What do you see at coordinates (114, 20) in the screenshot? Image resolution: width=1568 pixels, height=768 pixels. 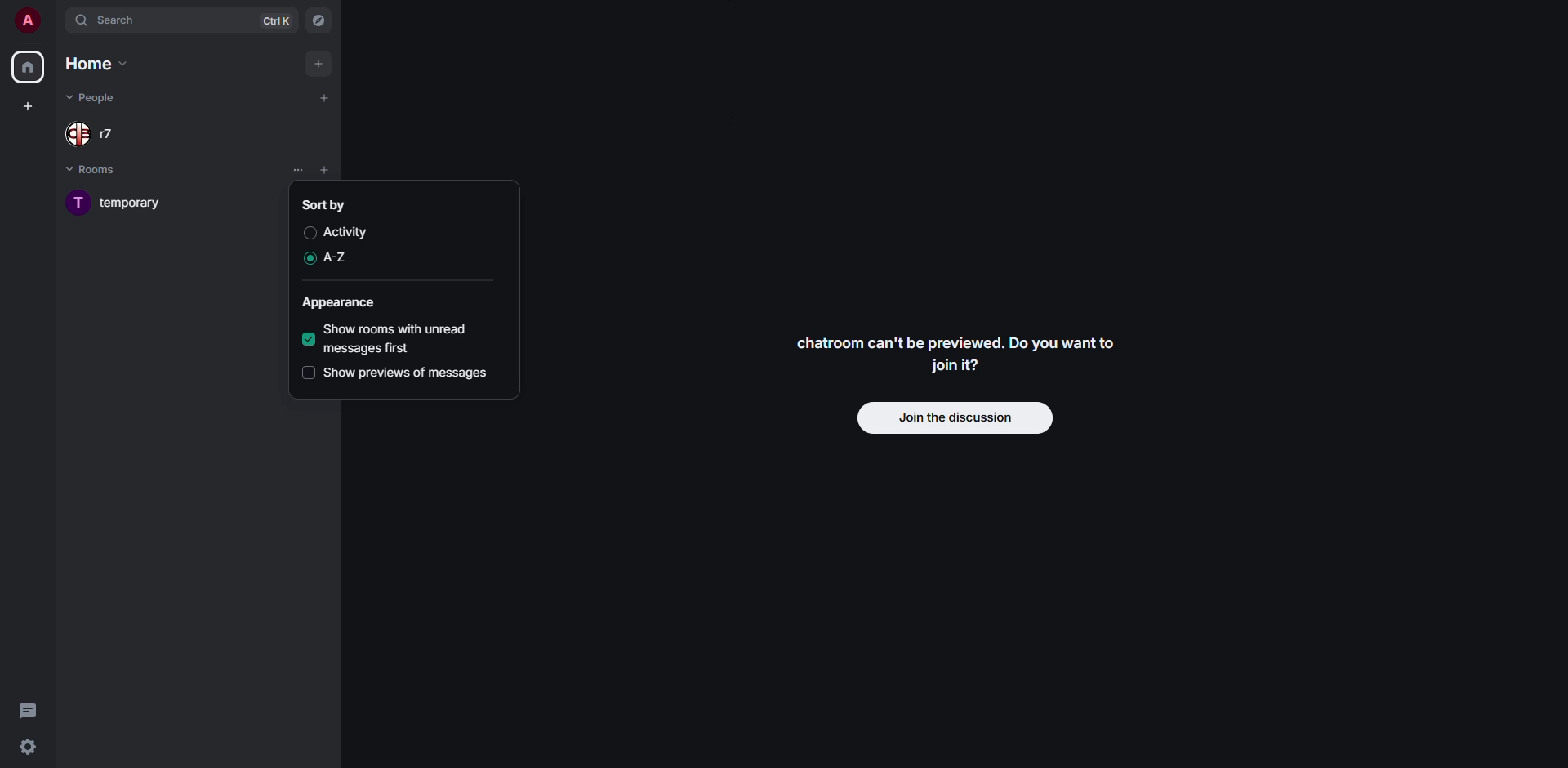 I see `search` at bounding box center [114, 20].